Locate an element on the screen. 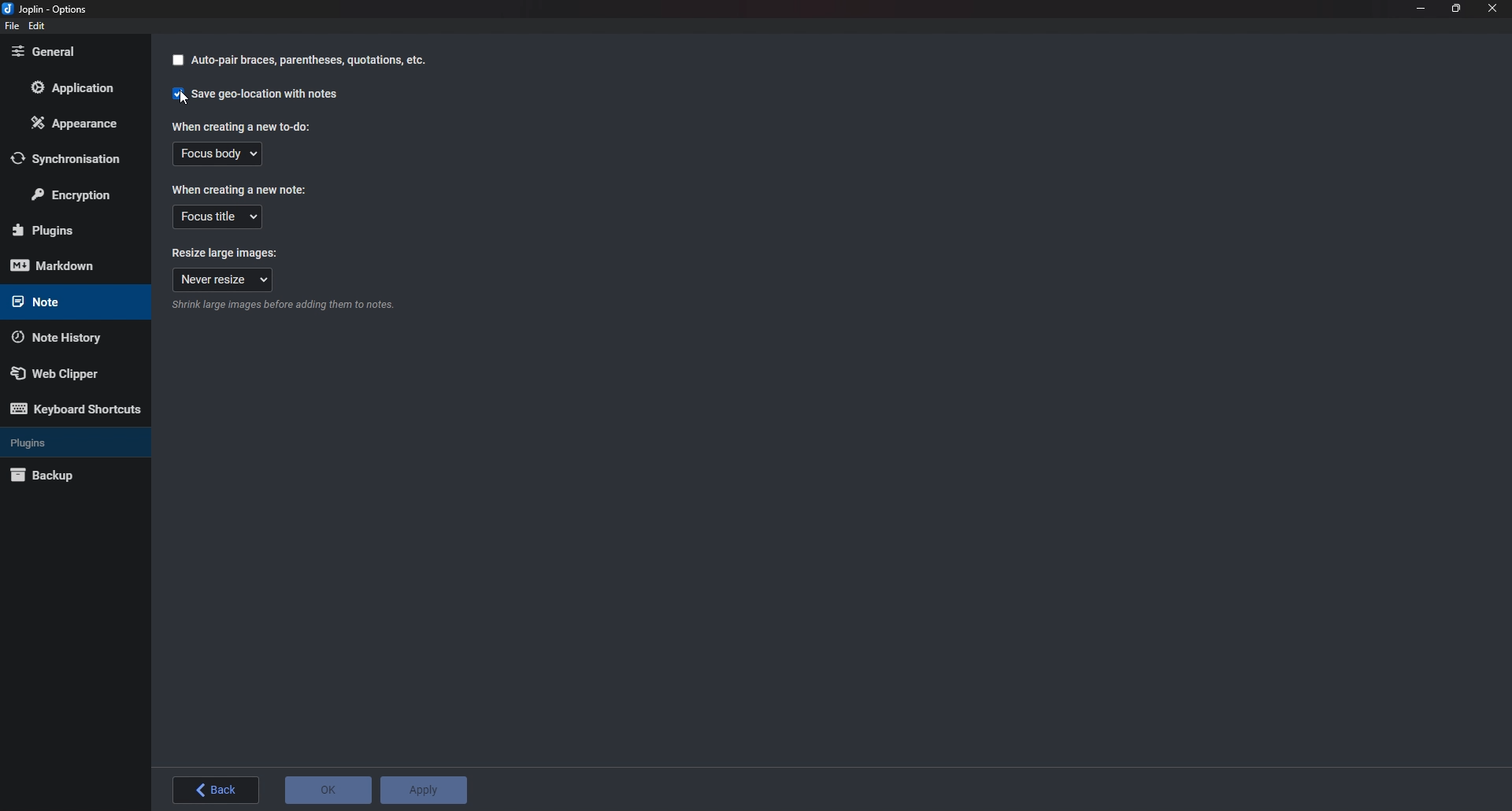 This screenshot has height=811, width=1512. Cursor on Save Geo location with notes is located at coordinates (256, 94).